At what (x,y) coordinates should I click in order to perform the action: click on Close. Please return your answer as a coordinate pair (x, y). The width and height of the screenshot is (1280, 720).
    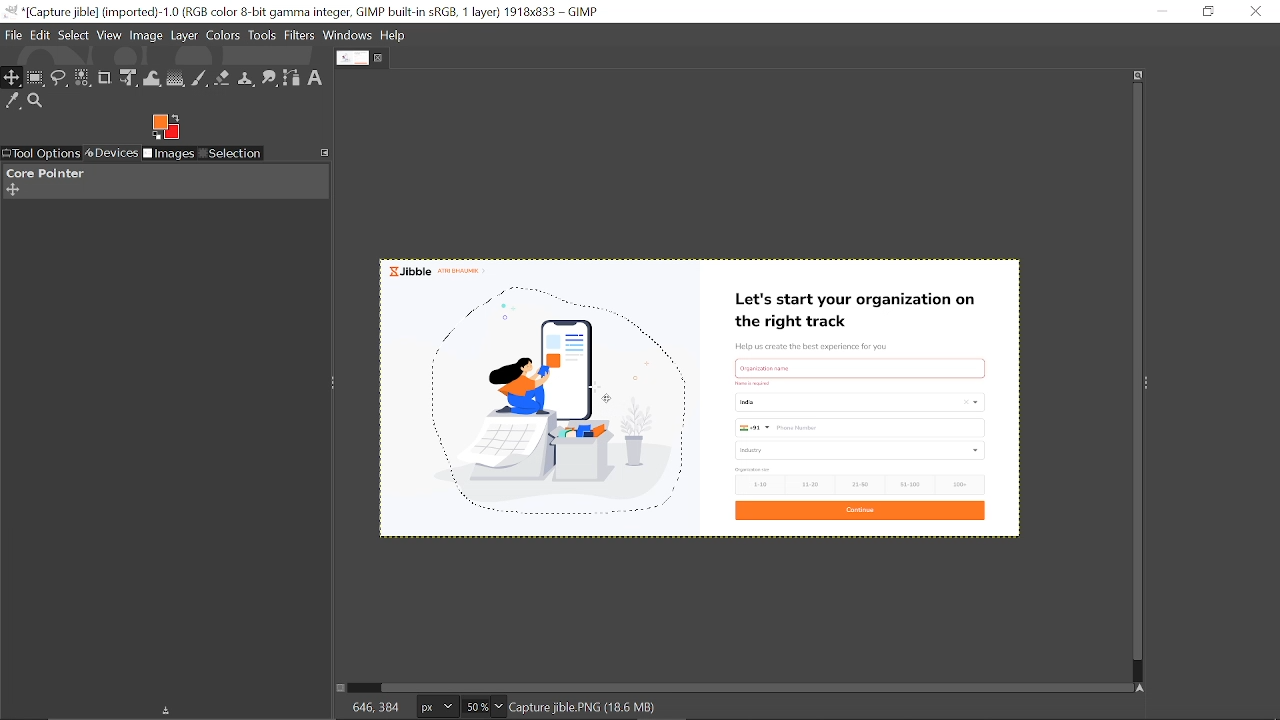
    Looking at the image, I should click on (1257, 11).